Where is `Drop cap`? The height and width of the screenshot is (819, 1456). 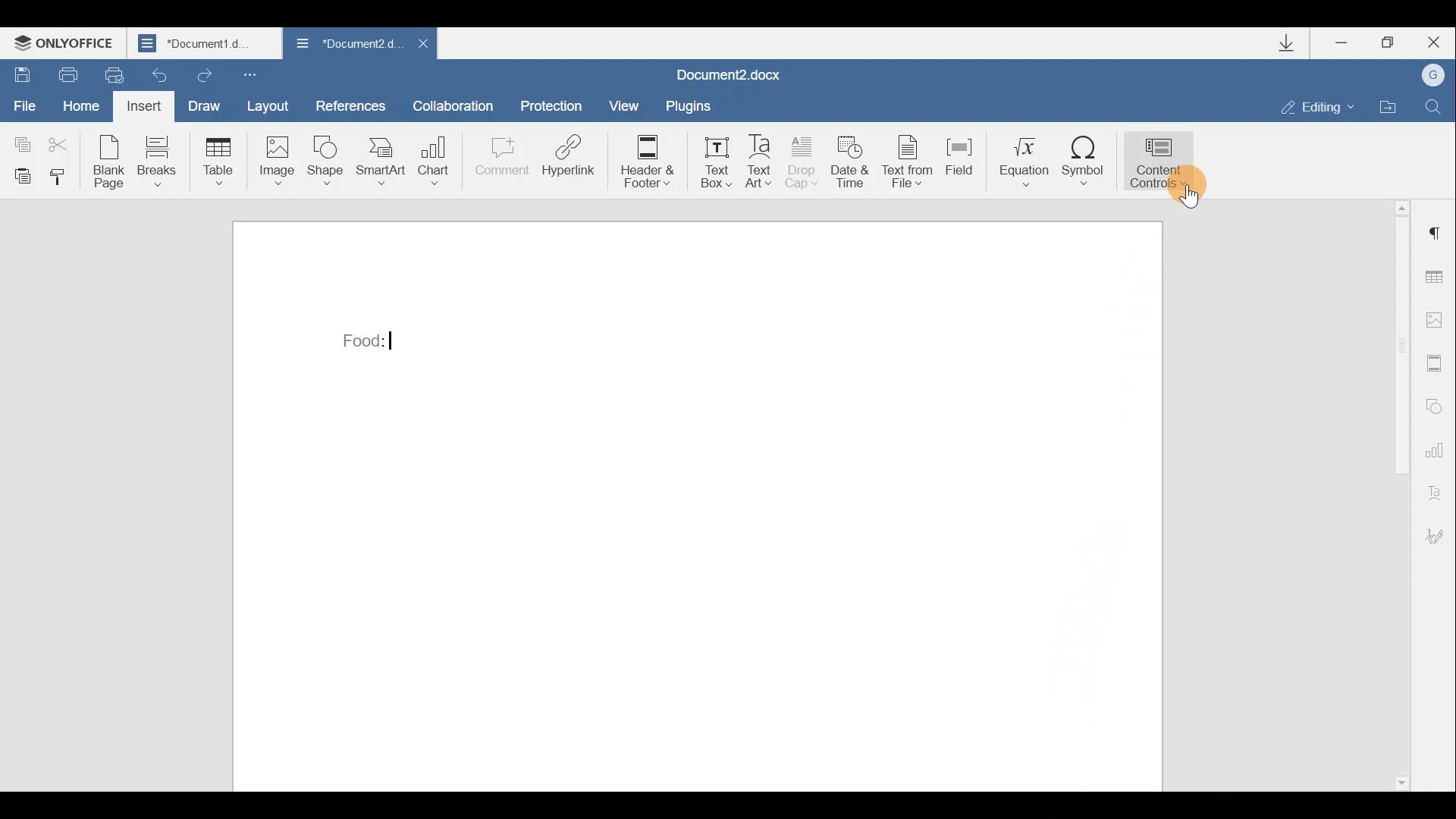 Drop cap is located at coordinates (802, 164).